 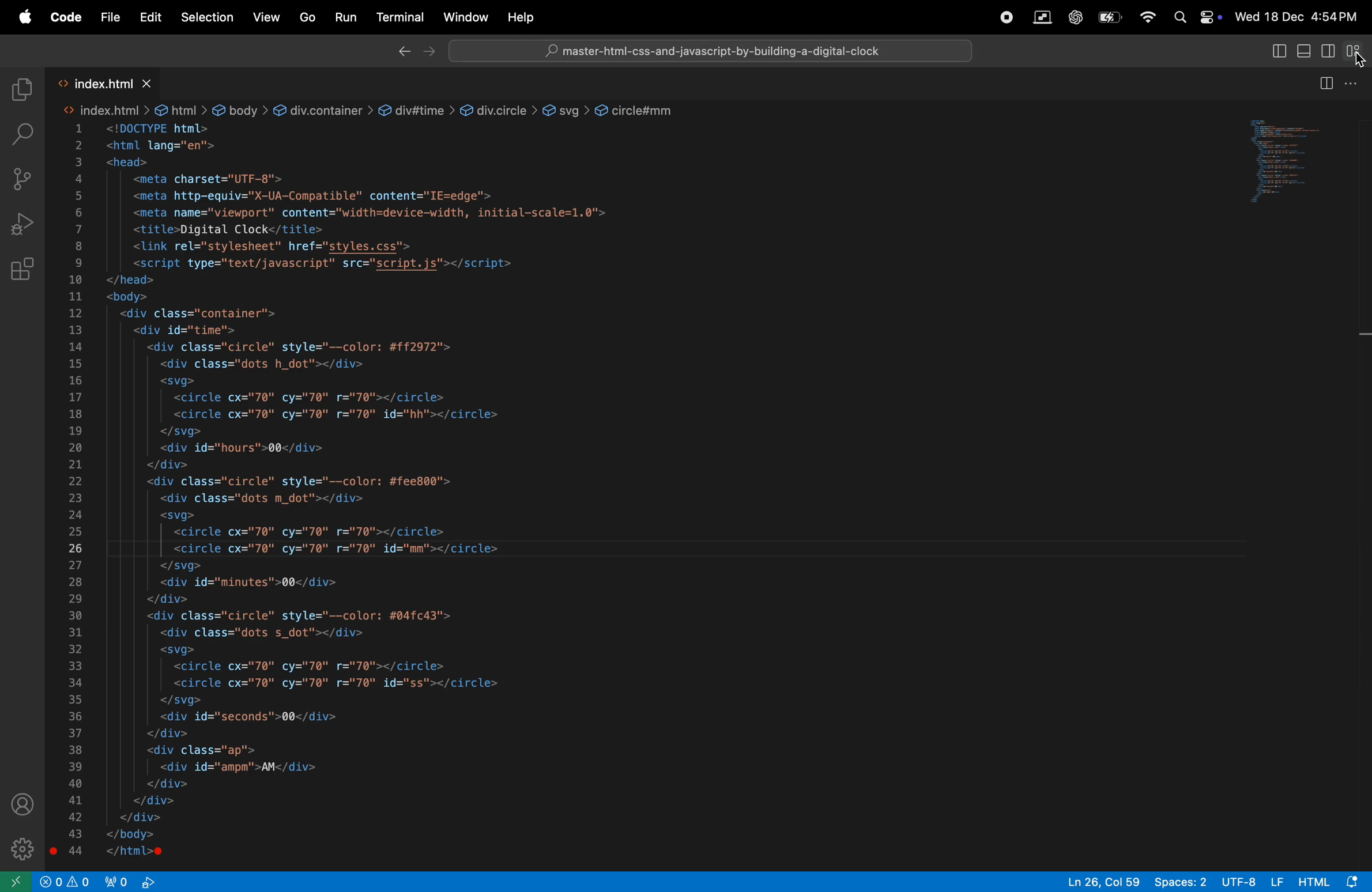 What do you see at coordinates (1332, 880) in the screenshot?
I see `html` at bounding box center [1332, 880].